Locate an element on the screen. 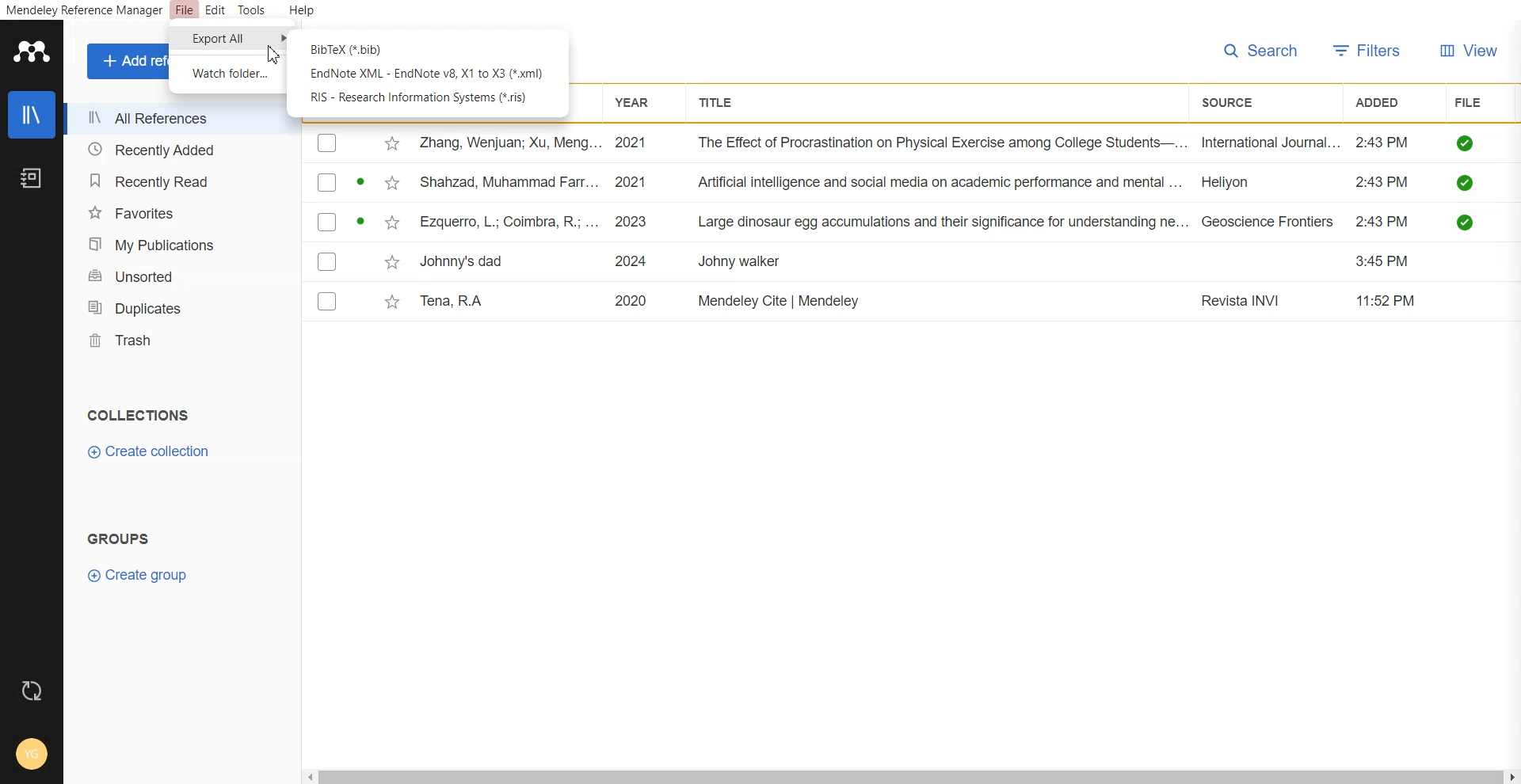 The width and height of the screenshot is (1521, 784). checkbox is located at coordinates (327, 300).